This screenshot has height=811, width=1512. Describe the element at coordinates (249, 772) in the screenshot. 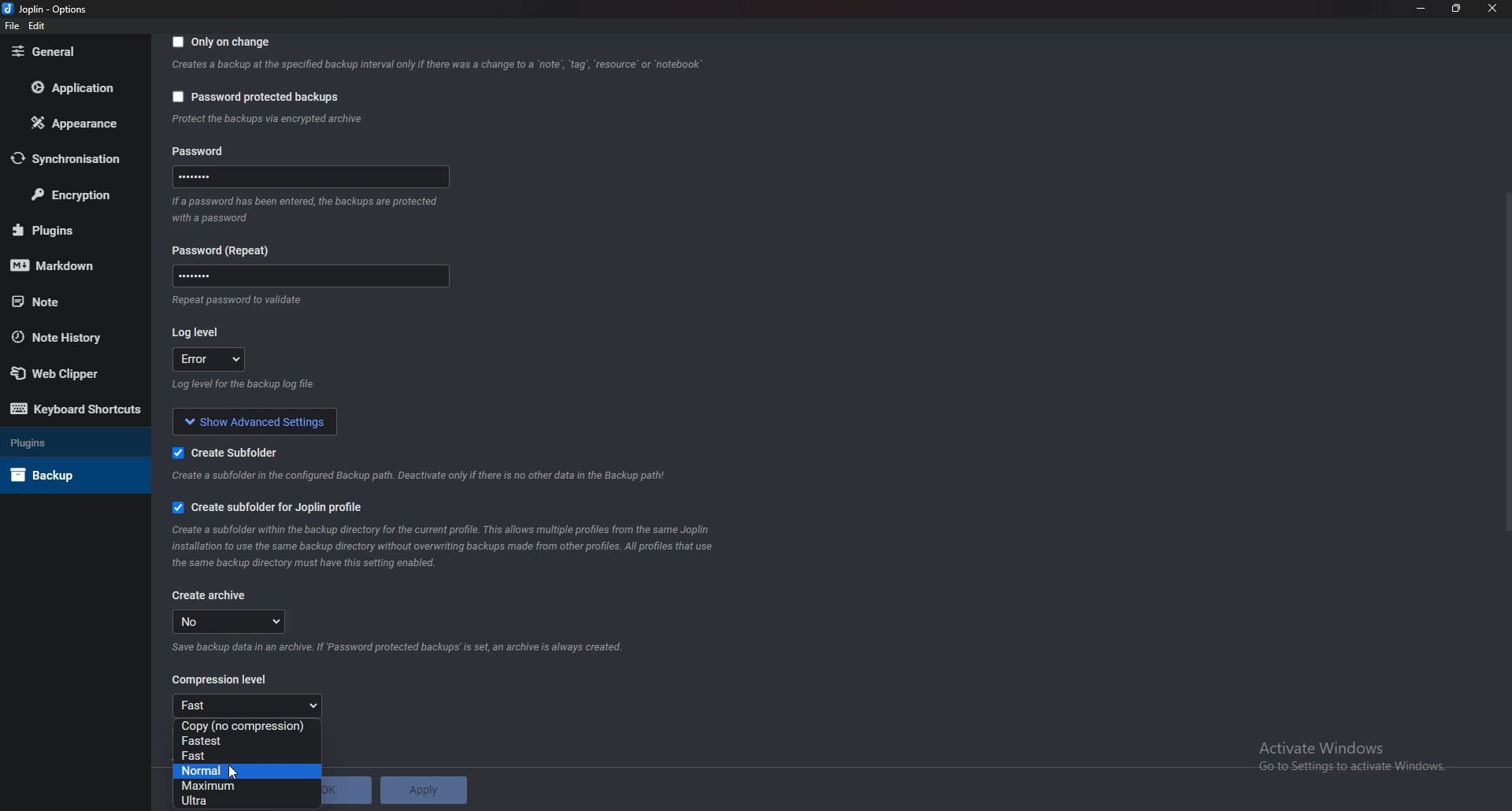

I see `Normal` at that location.